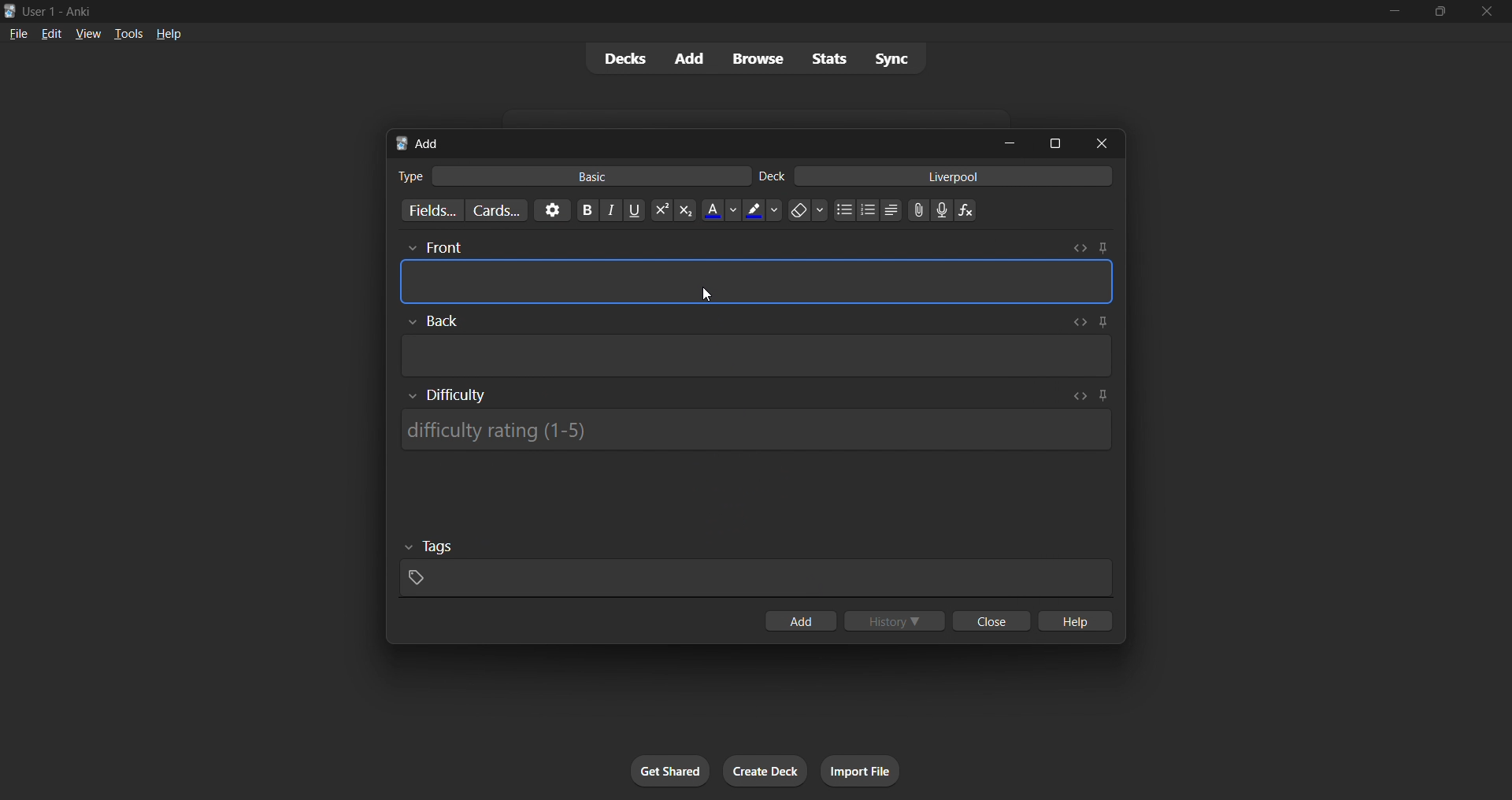 This screenshot has width=1512, height=800. Describe the element at coordinates (891, 57) in the screenshot. I see `sync` at that location.